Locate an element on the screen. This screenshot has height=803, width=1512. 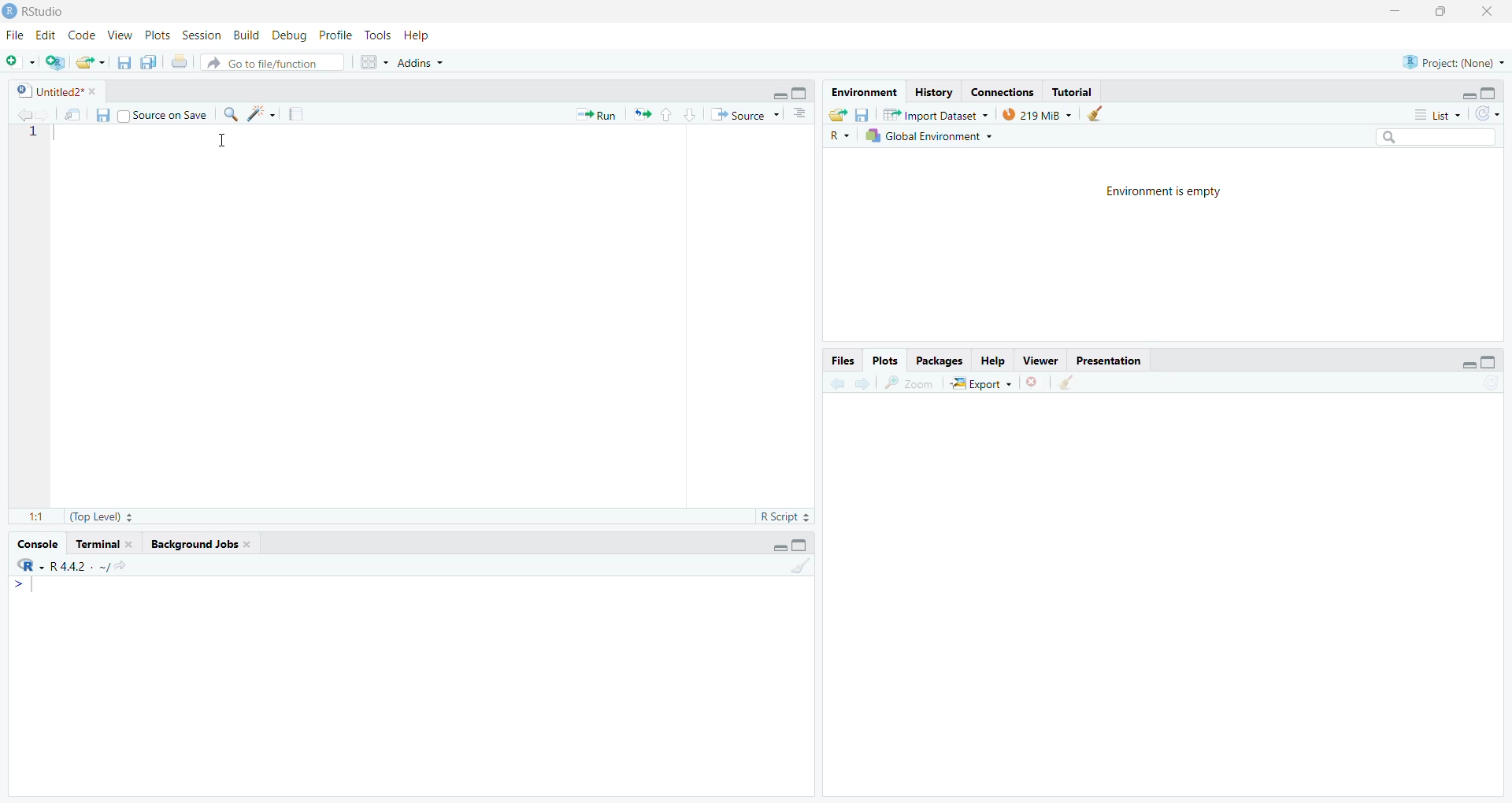
Create Project is located at coordinates (54, 62).